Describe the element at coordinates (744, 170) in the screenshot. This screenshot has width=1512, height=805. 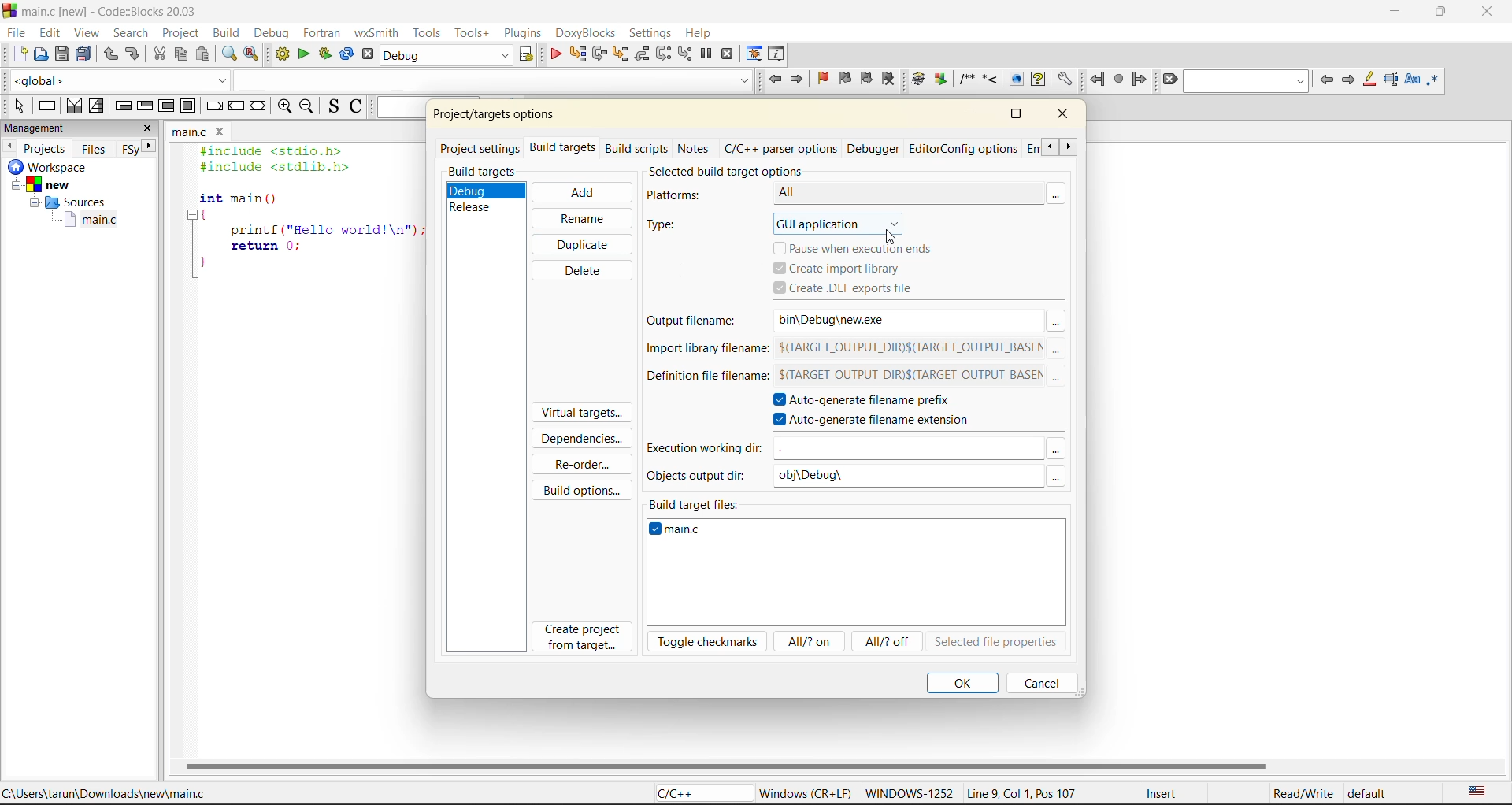
I see `selected build target options` at that location.